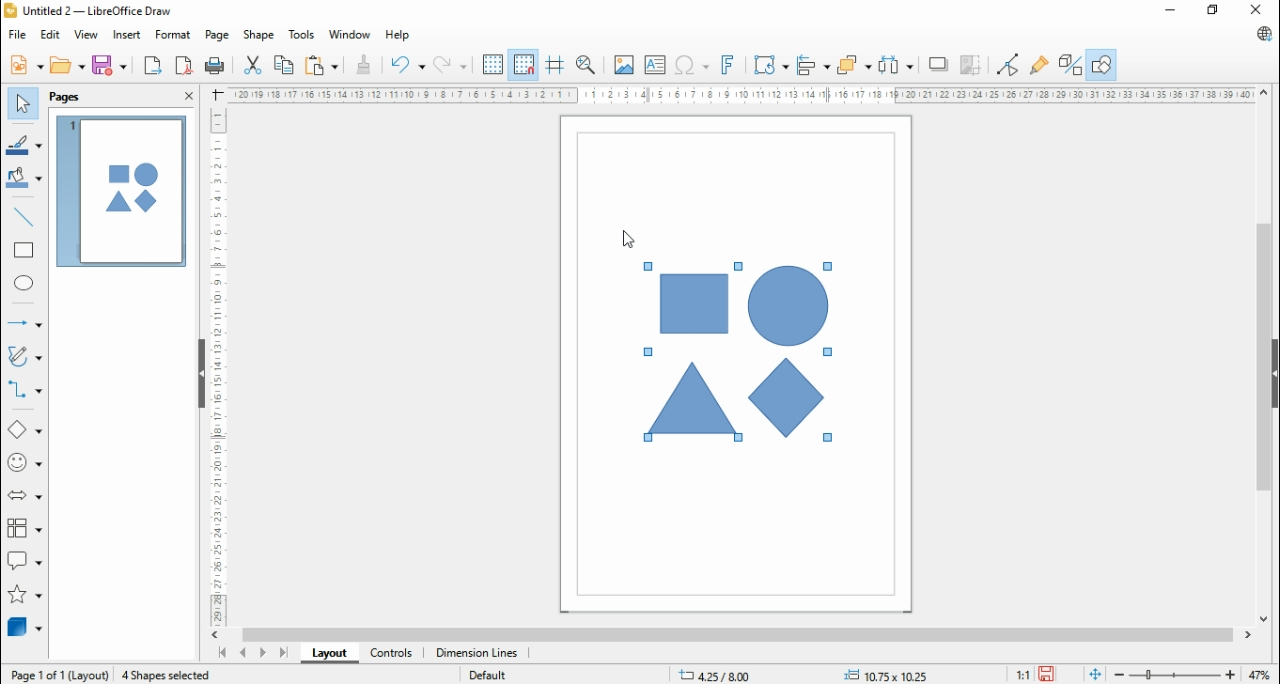 The image size is (1280, 684). I want to click on view, so click(87, 35).